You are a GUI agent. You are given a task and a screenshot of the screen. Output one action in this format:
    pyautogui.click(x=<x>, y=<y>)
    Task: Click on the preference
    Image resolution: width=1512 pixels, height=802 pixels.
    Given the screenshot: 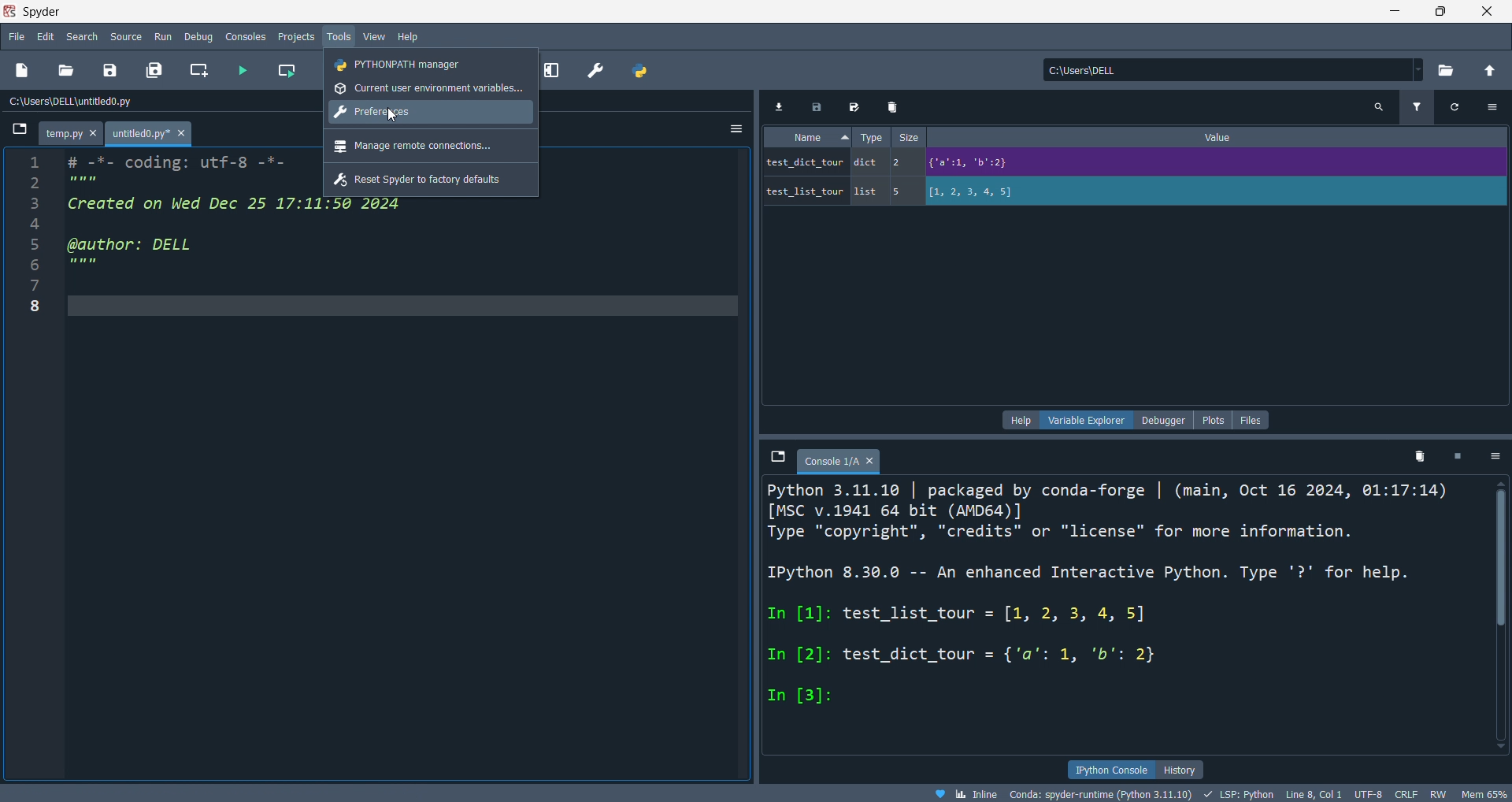 What is the action you would take?
    pyautogui.click(x=598, y=70)
    